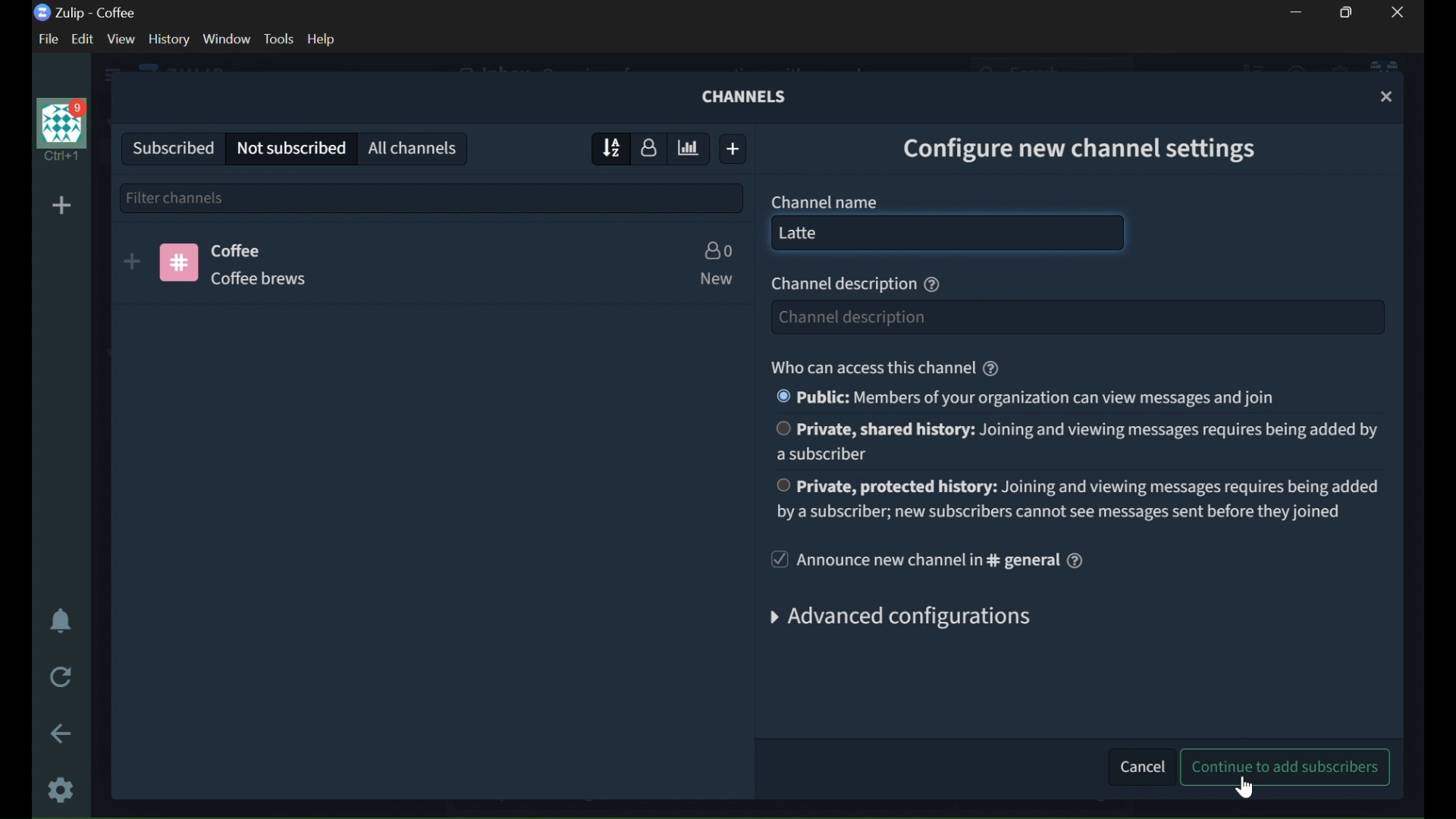 The width and height of the screenshot is (1456, 819). What do you see at coordinates (1398, 12) in the screenshot?
I see `CLOSE` at bounding box center [1398, 12].